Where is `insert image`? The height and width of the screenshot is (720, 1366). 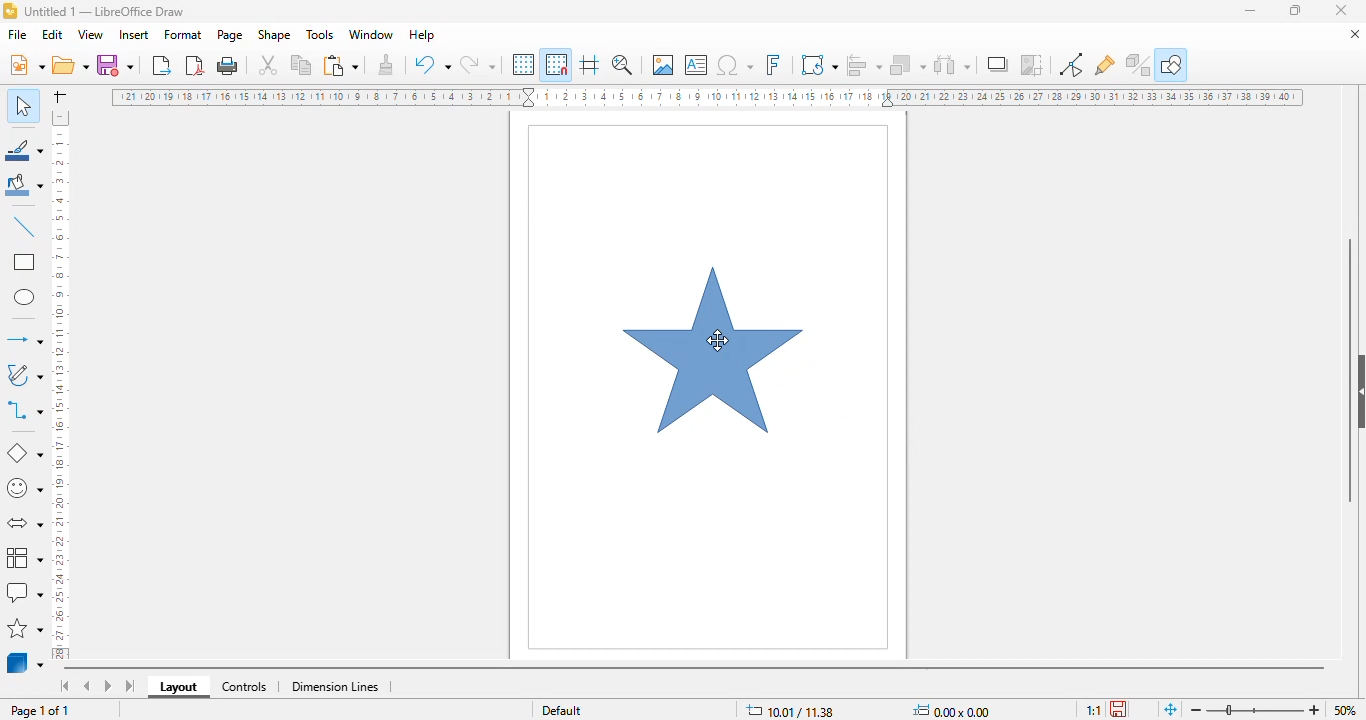 insert image is located at coordinates (663, 64).